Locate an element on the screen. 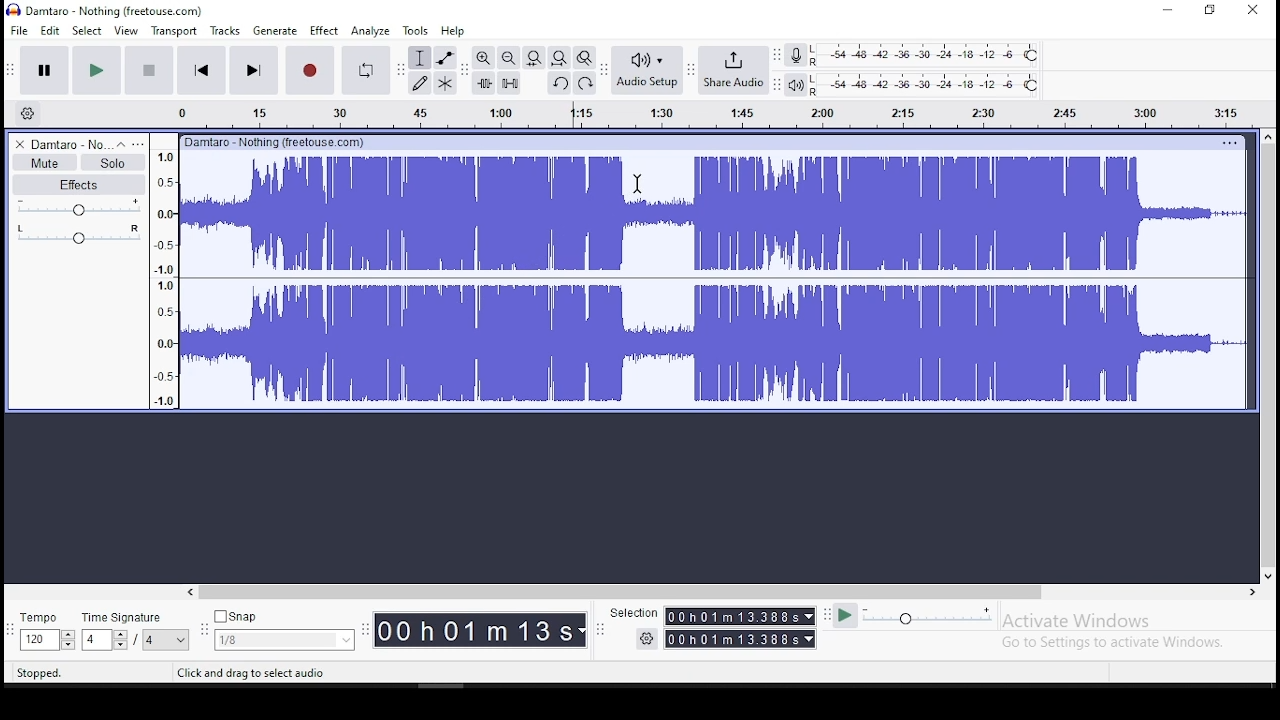 The image size is (1280, 720). effect is located at coordinates (324, 30).